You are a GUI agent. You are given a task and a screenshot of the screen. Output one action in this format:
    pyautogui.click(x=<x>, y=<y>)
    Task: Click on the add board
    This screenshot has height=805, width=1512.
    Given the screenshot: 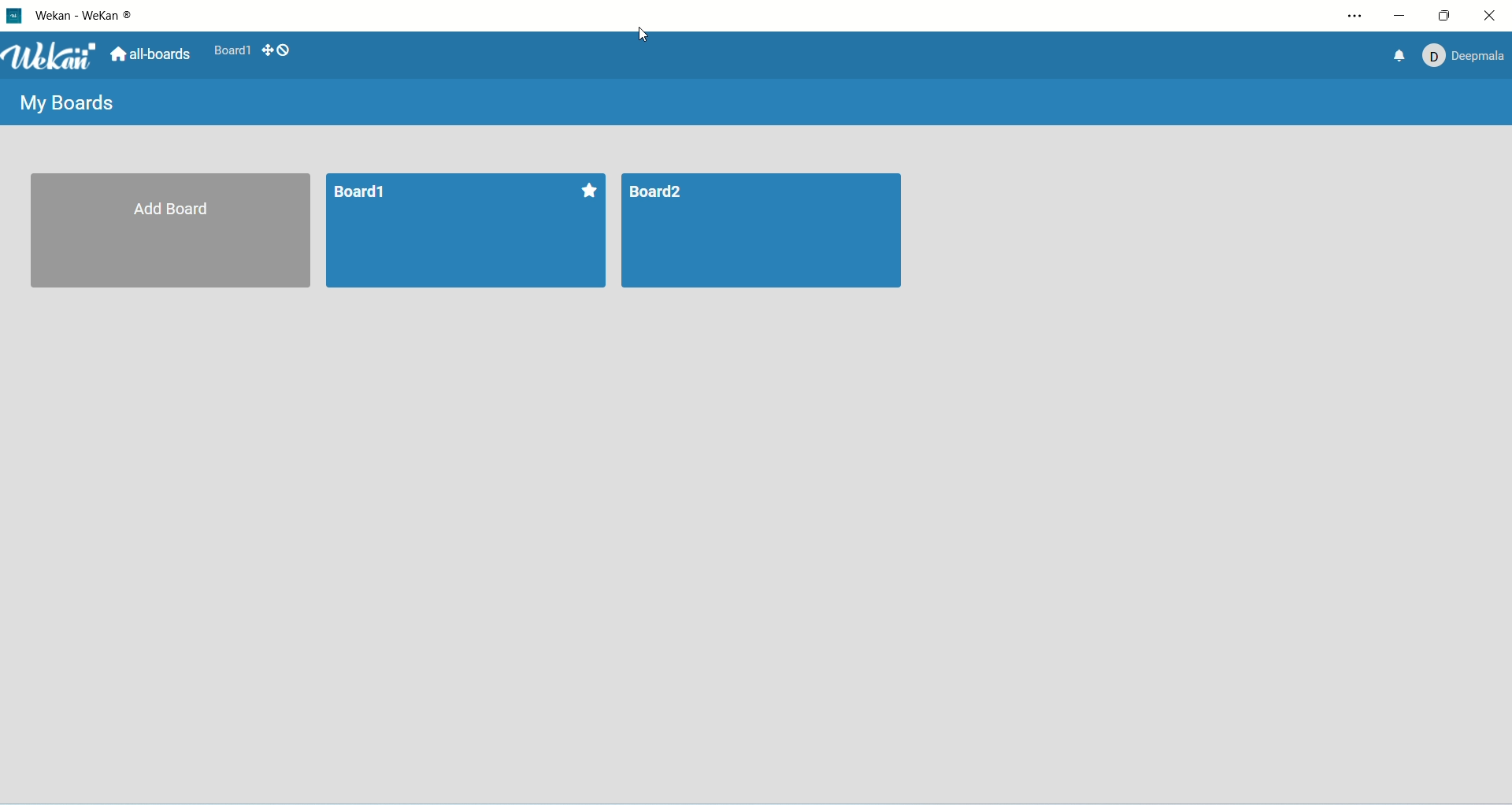 What is the action you would take?
    pyautogui.click(x=170, y=232)
    